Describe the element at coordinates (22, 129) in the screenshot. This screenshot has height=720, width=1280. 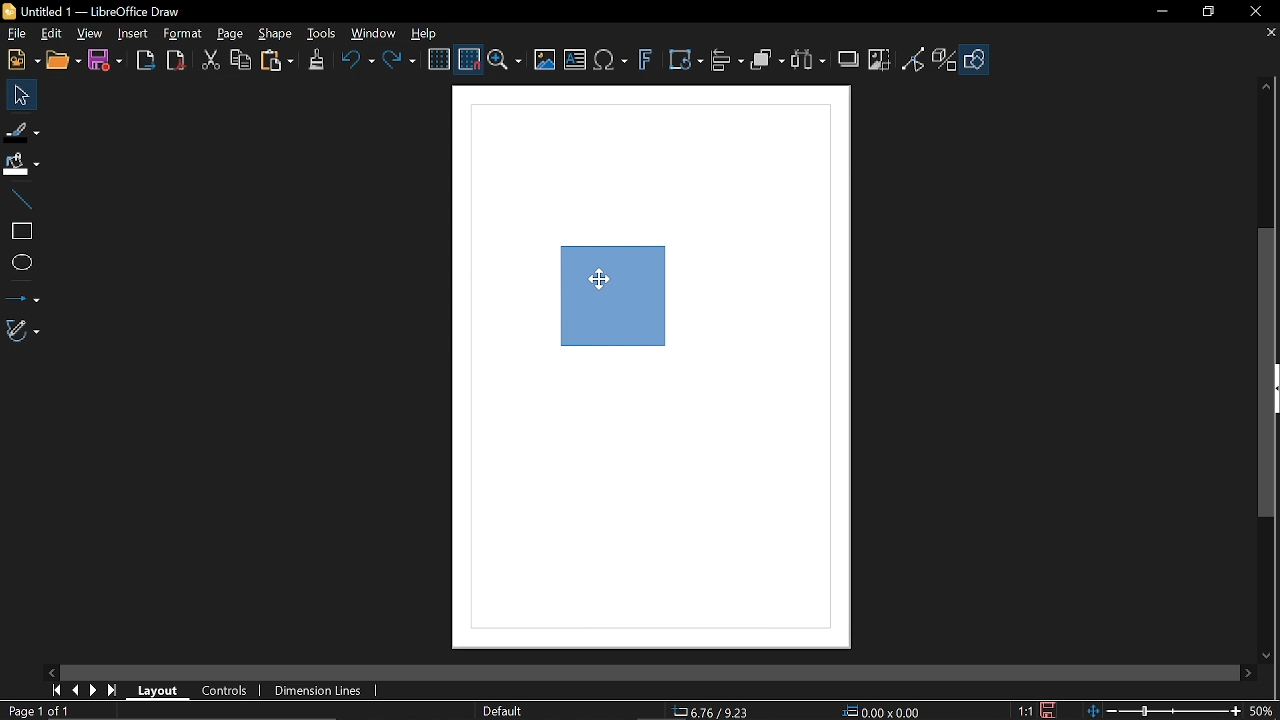
I see `Fill line` at that location.